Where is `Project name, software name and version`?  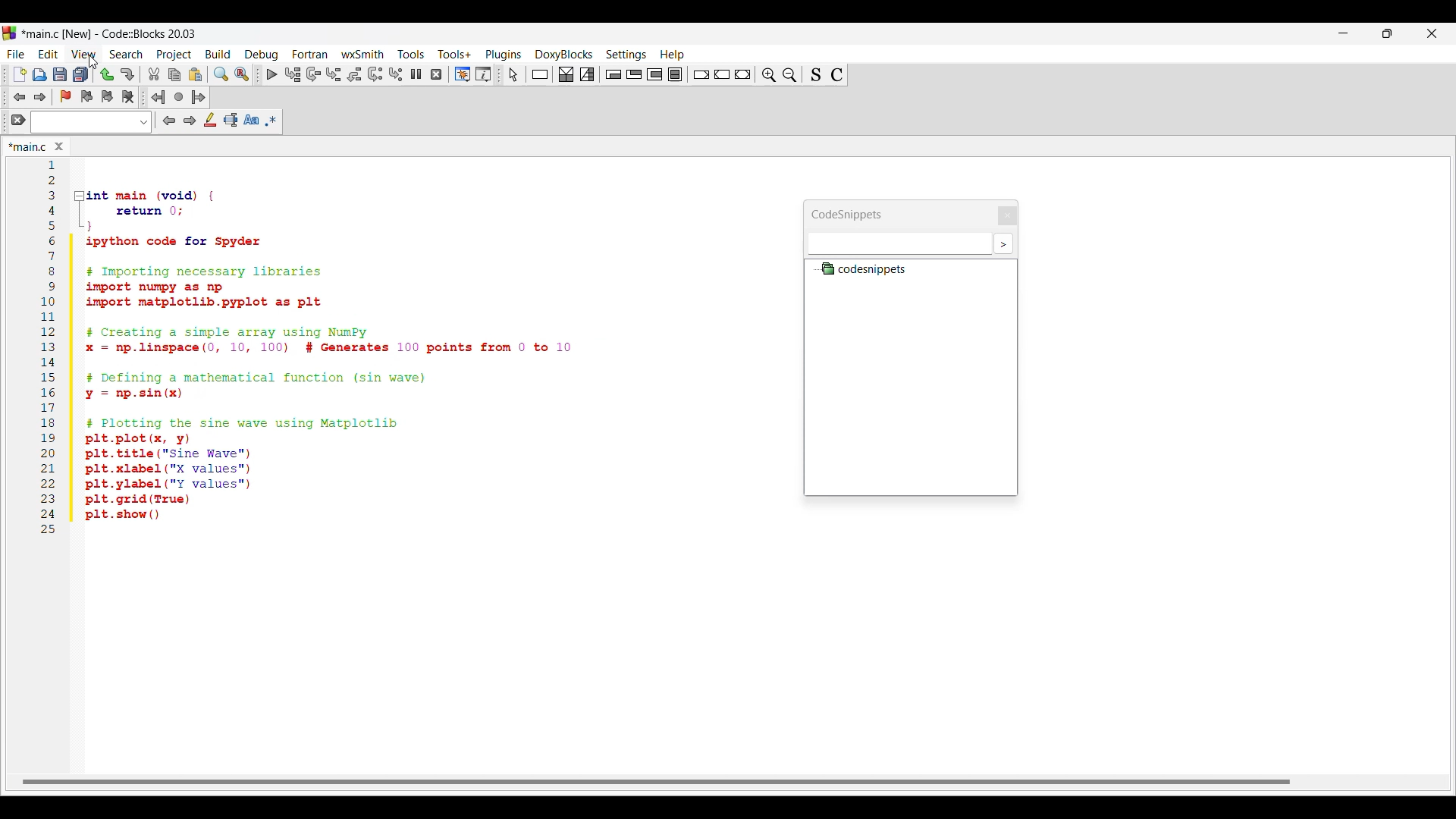 Project name, software name and version is located at coordinates (110, 33).